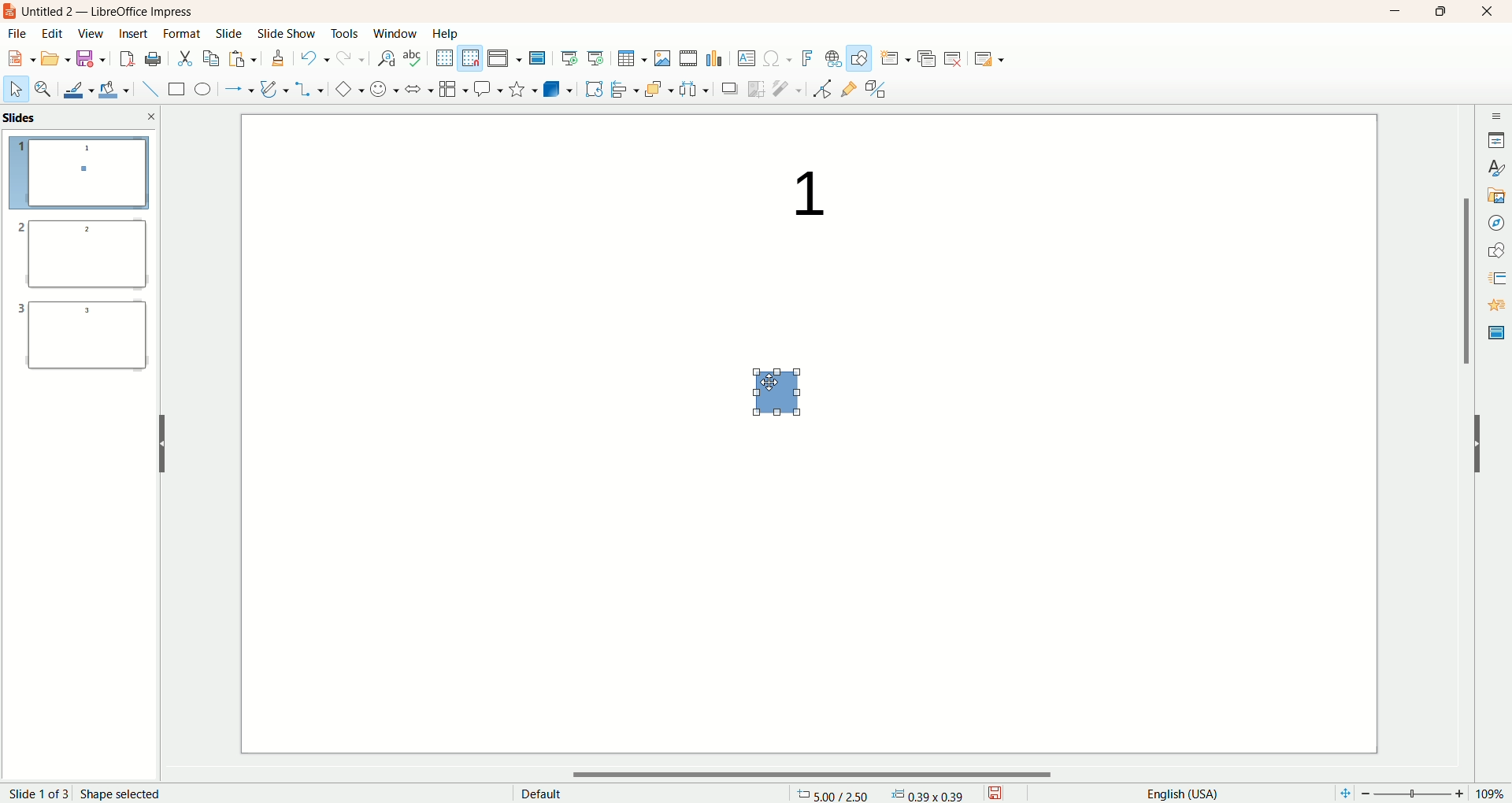  What do you see at coordinates (1495, 113) in the screenshot?
I see `sidebar settings` at bounding box center [1495, 113].